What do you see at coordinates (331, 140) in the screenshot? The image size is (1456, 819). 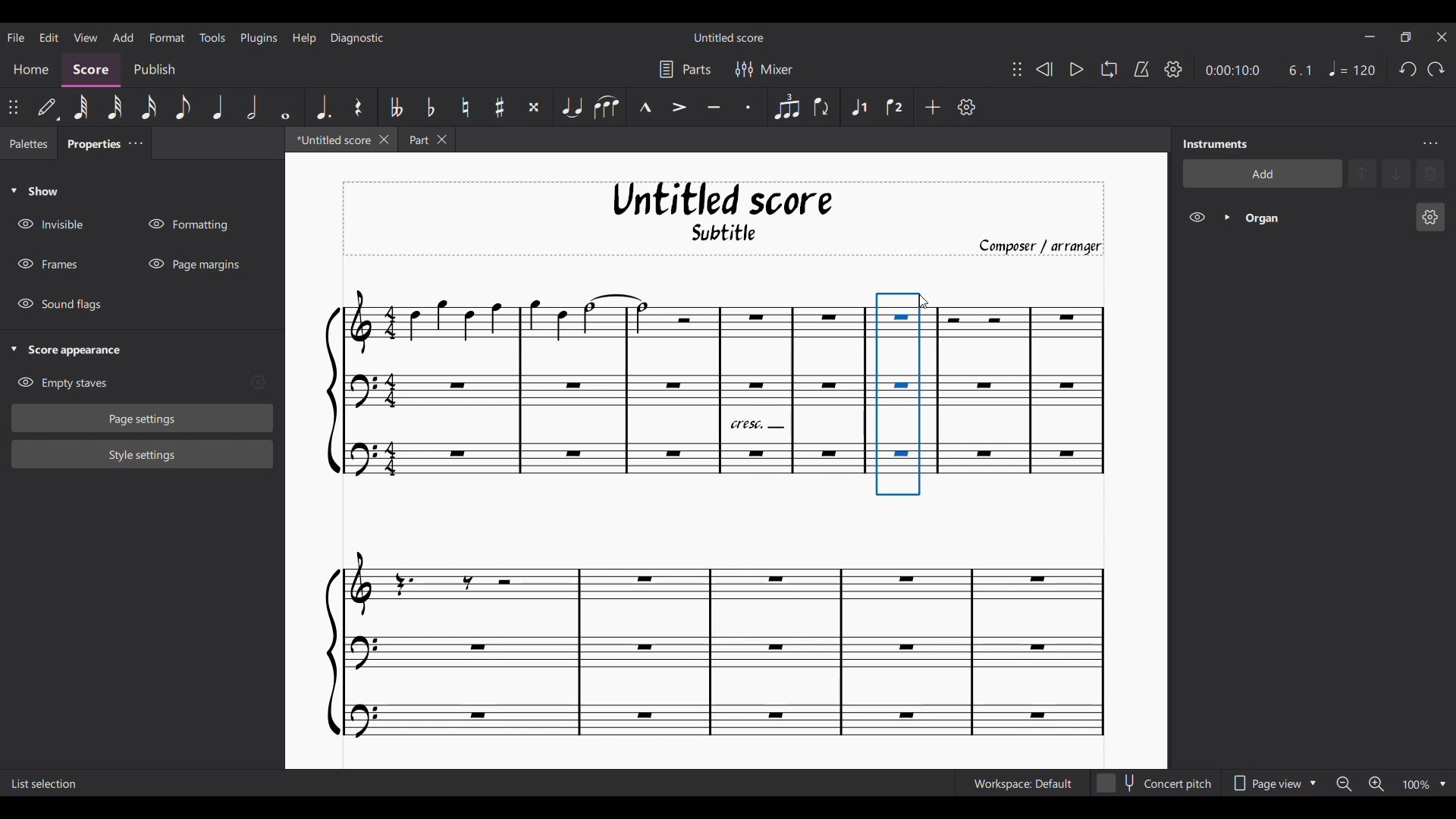 I see `Current tab` at bounding box center [331, 140].